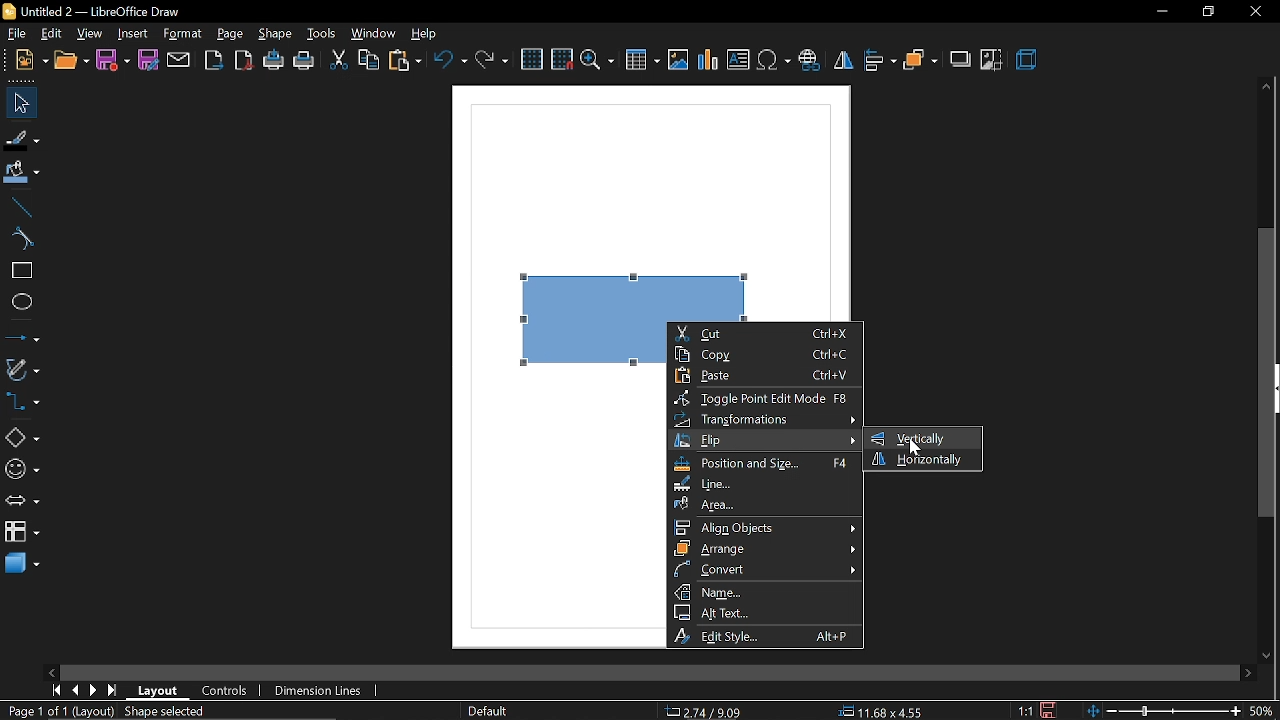  I want to click on grid, so click(531, 60).